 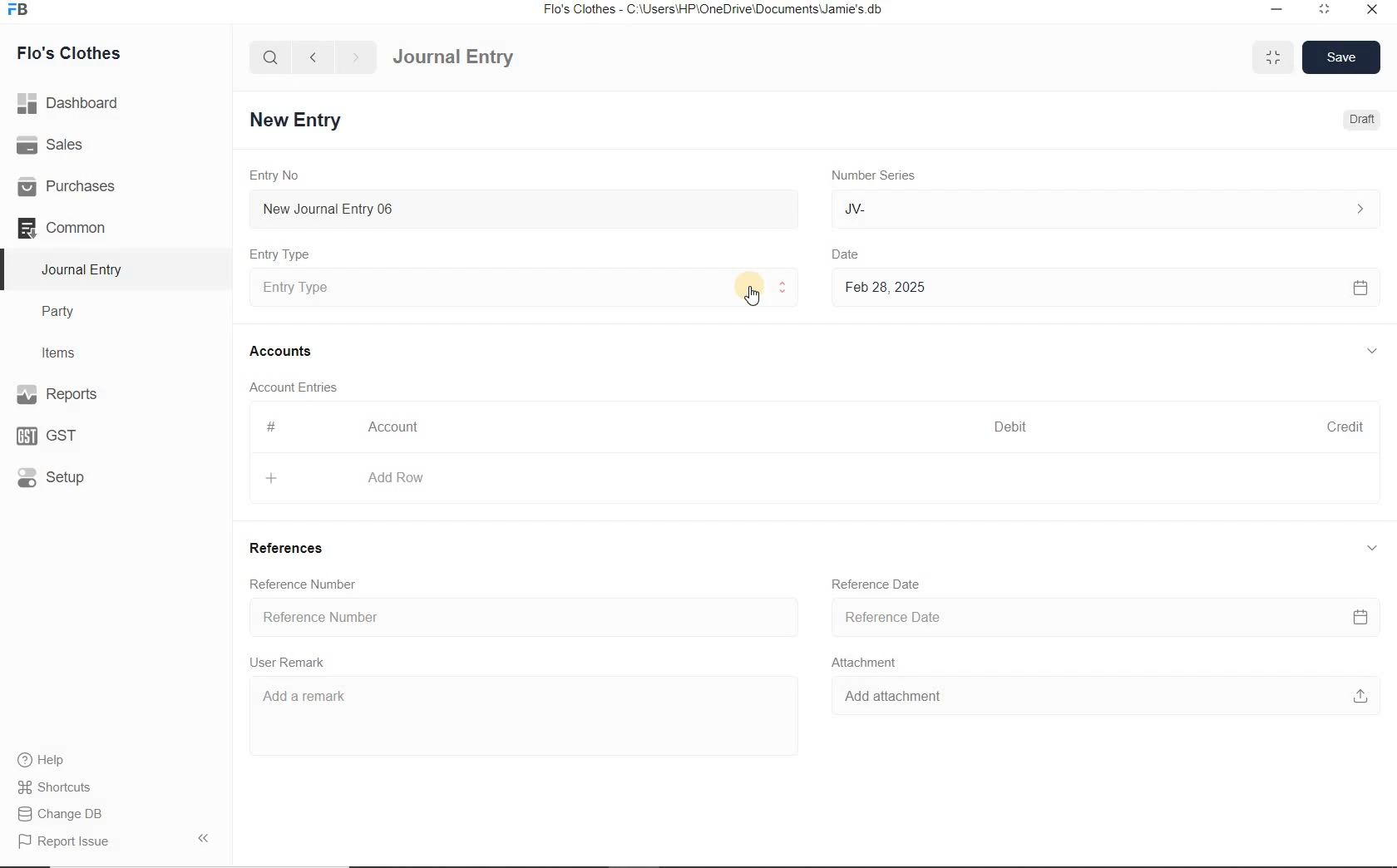 I want to click on search, so click(x=271, y=57).